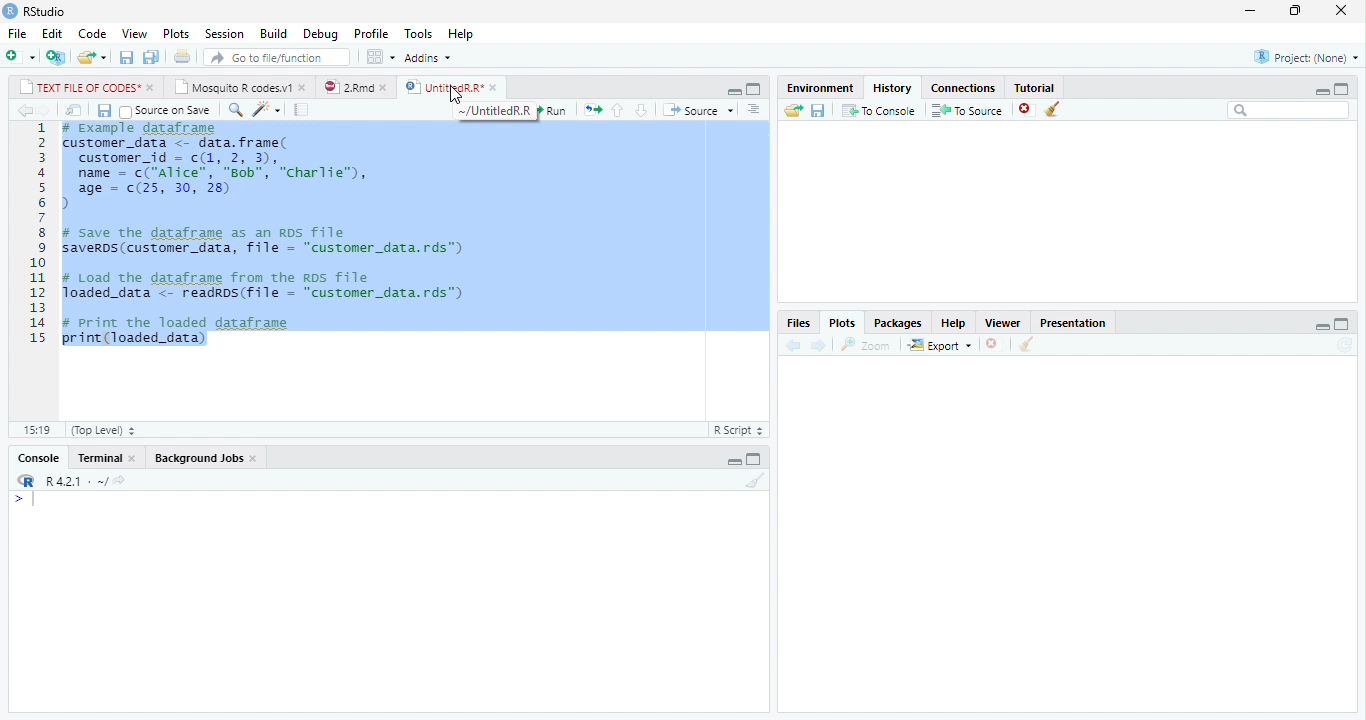  Describe the element at coordinates (26, 111) in the screenshot. I see `back` at that location.